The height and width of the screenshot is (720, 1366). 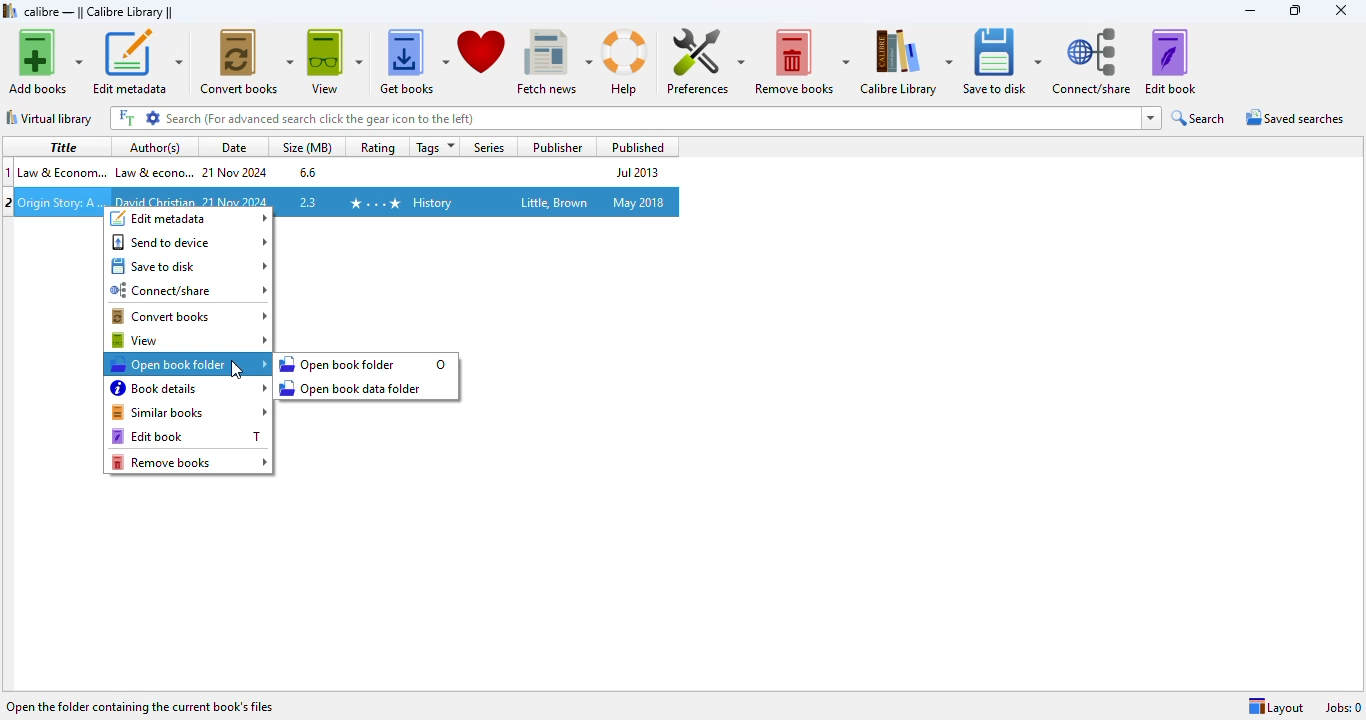 I want to click on publisher, so click(x=558, y=147).